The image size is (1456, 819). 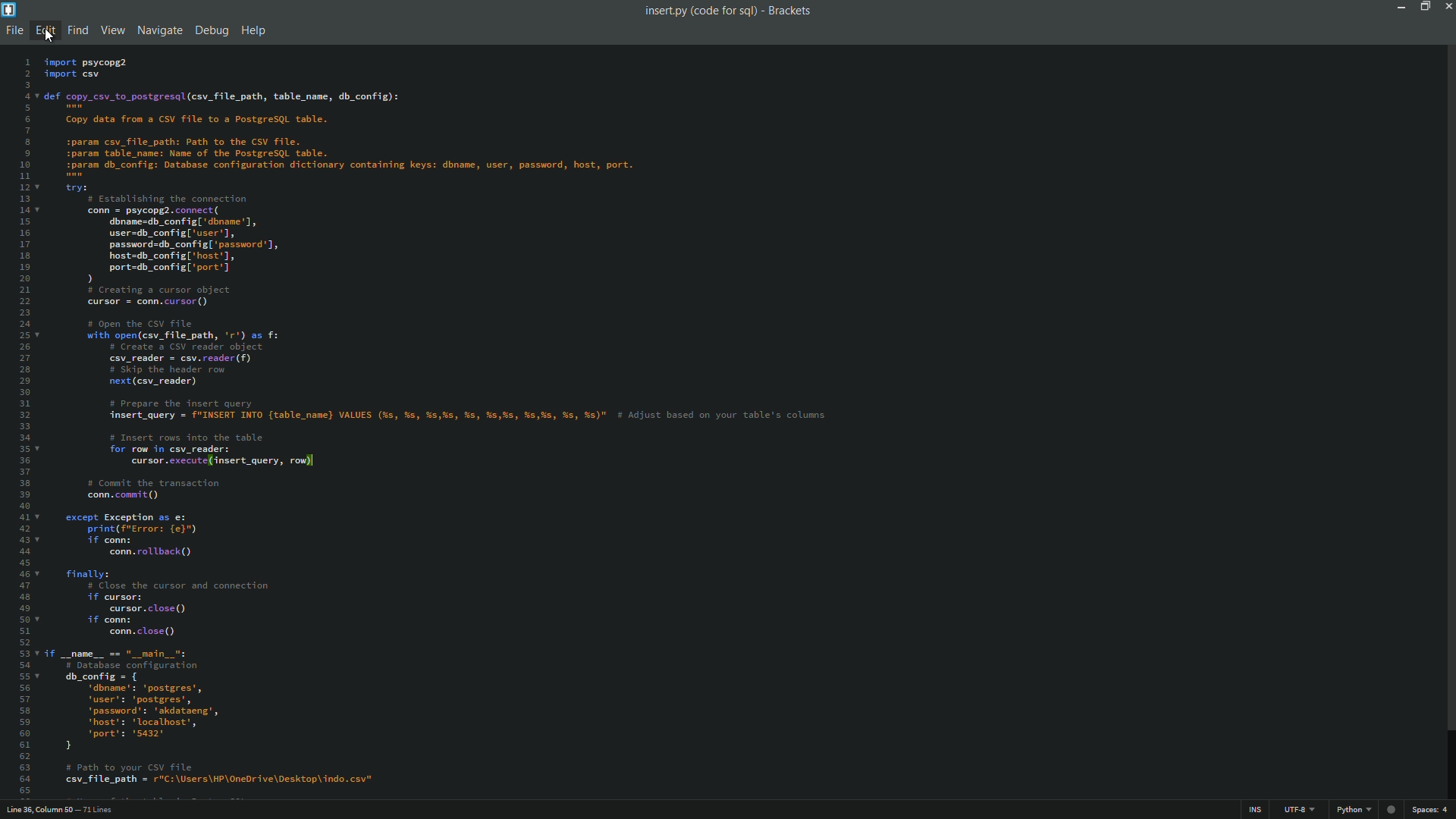 I want to click on insert.py (code for sql) - Brackets., so click(x=726, y=11).